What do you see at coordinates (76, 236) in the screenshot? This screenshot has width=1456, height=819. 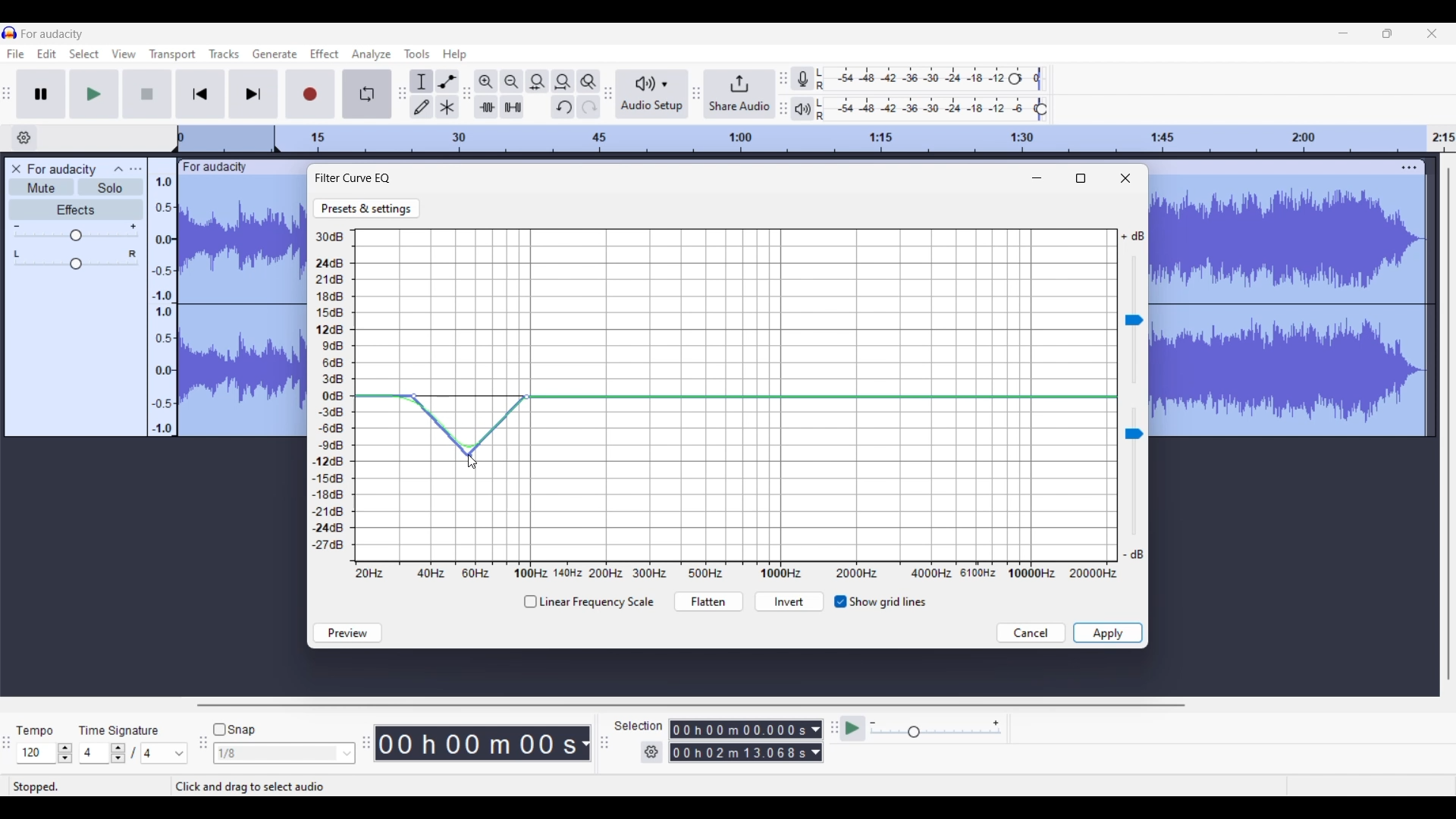 I see `Change gain` at bounding box center [76, 236].